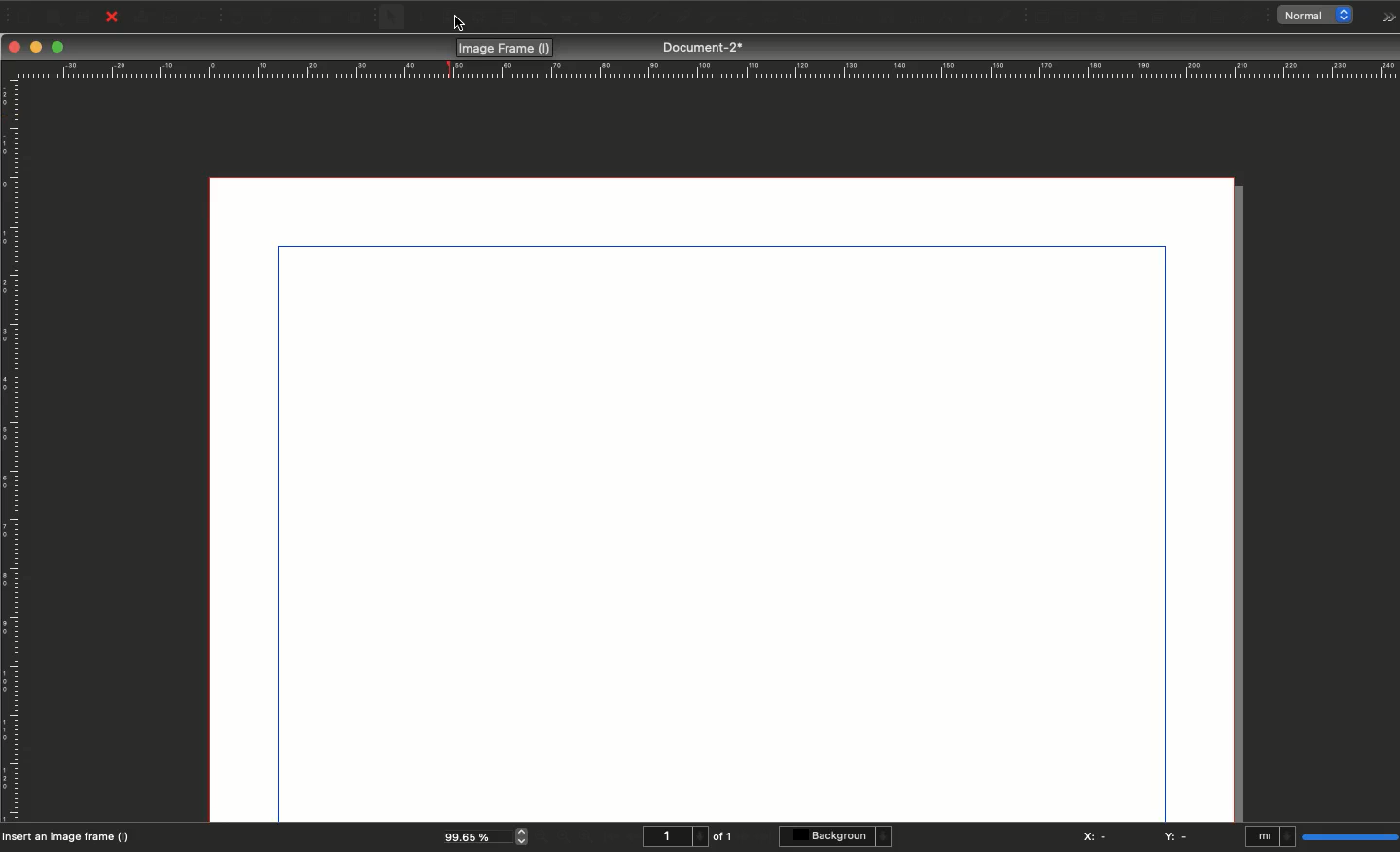  What do you see at coordinates (972, 18) in the screenshot?
I see `Copy item properties` at bounding box center [972, 18].